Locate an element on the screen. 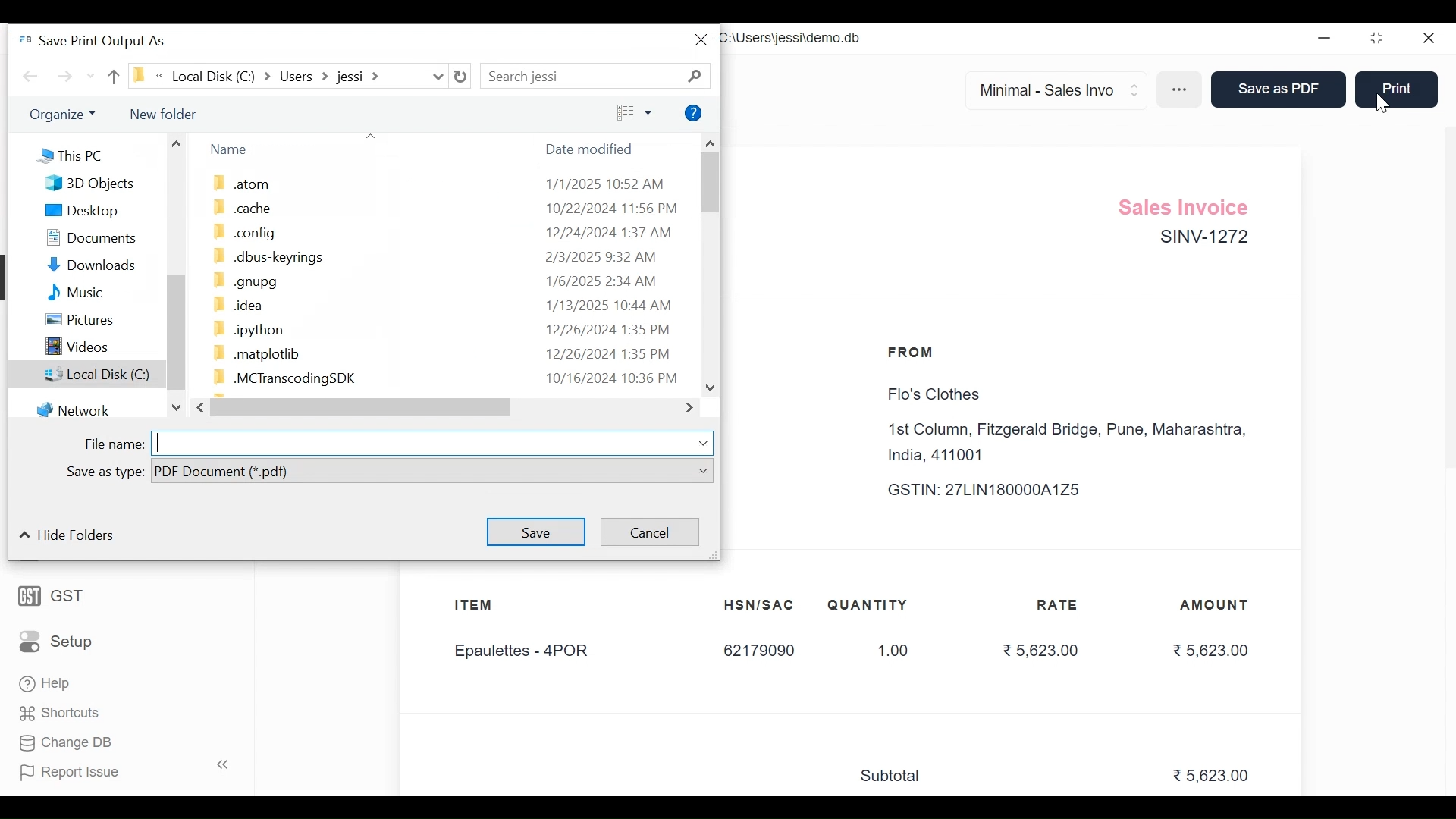  Cancel is located at coordinates (651, 531).